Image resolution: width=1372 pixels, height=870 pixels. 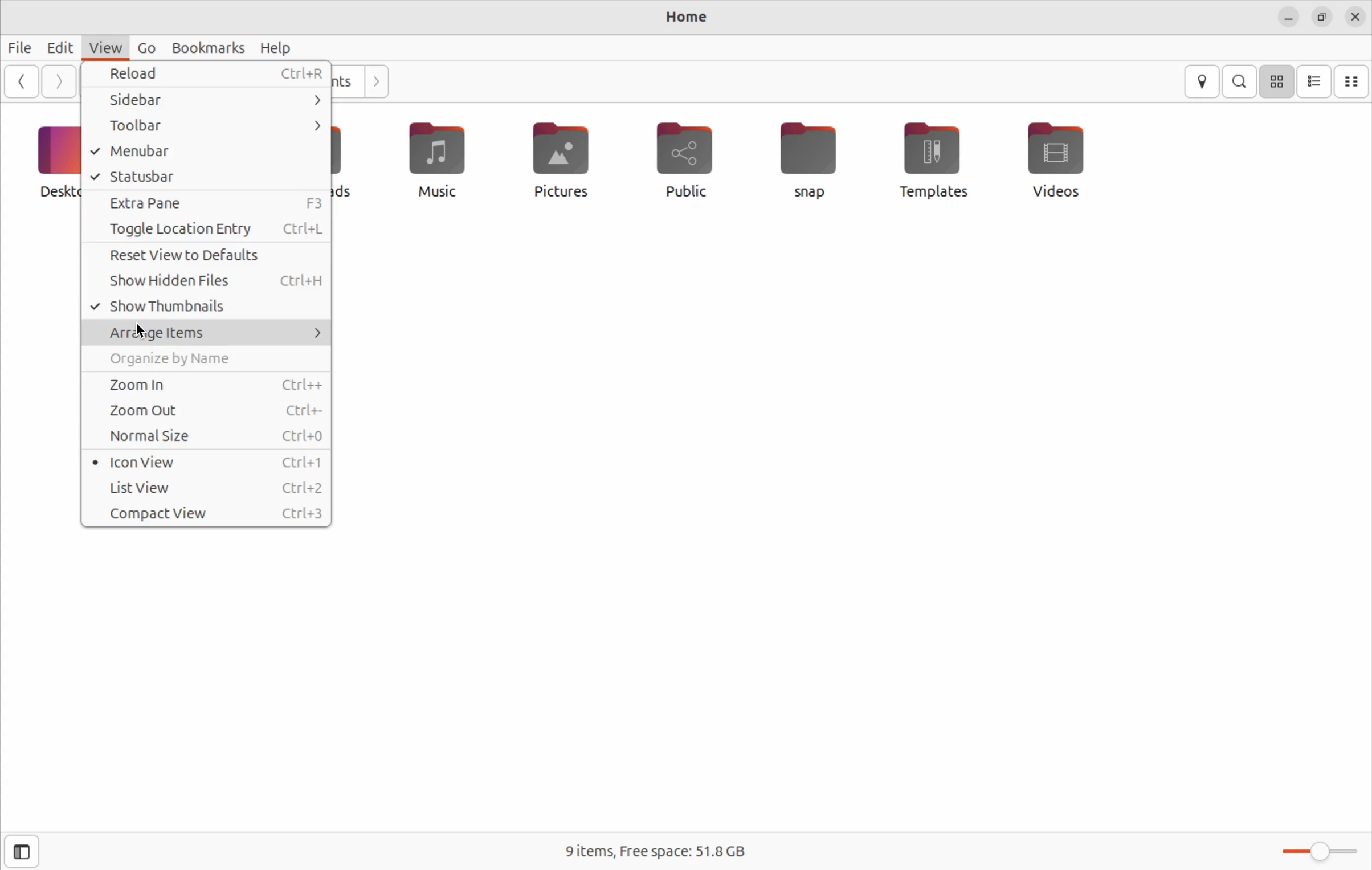 I want to click on toggle location entry, so click(x=203, y=231).